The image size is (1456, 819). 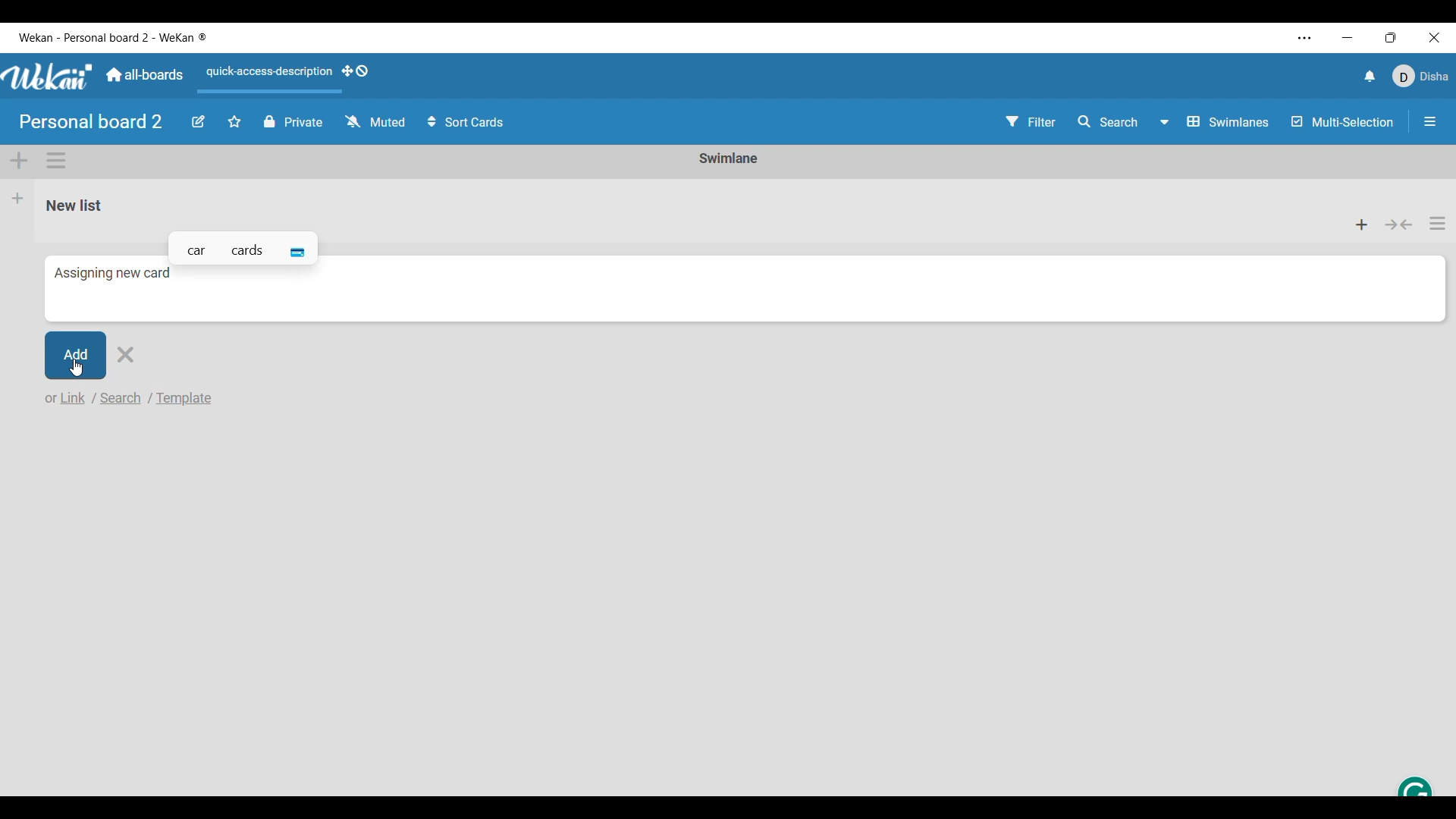 What do you see at coordinates (77, 354) in the screenshot?
I see `Cursor clicking on add` at bounding box center [77, 354].